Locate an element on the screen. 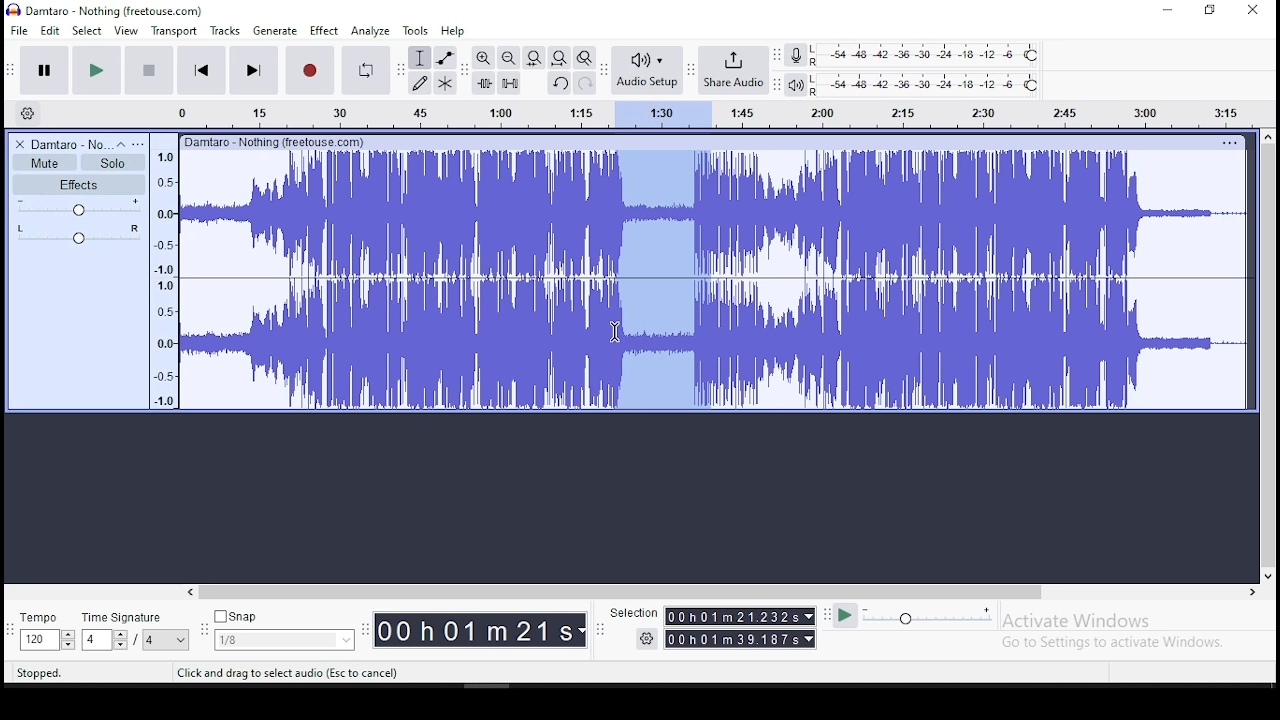  0O0hO01m21s is located at coordinates (475, 630).